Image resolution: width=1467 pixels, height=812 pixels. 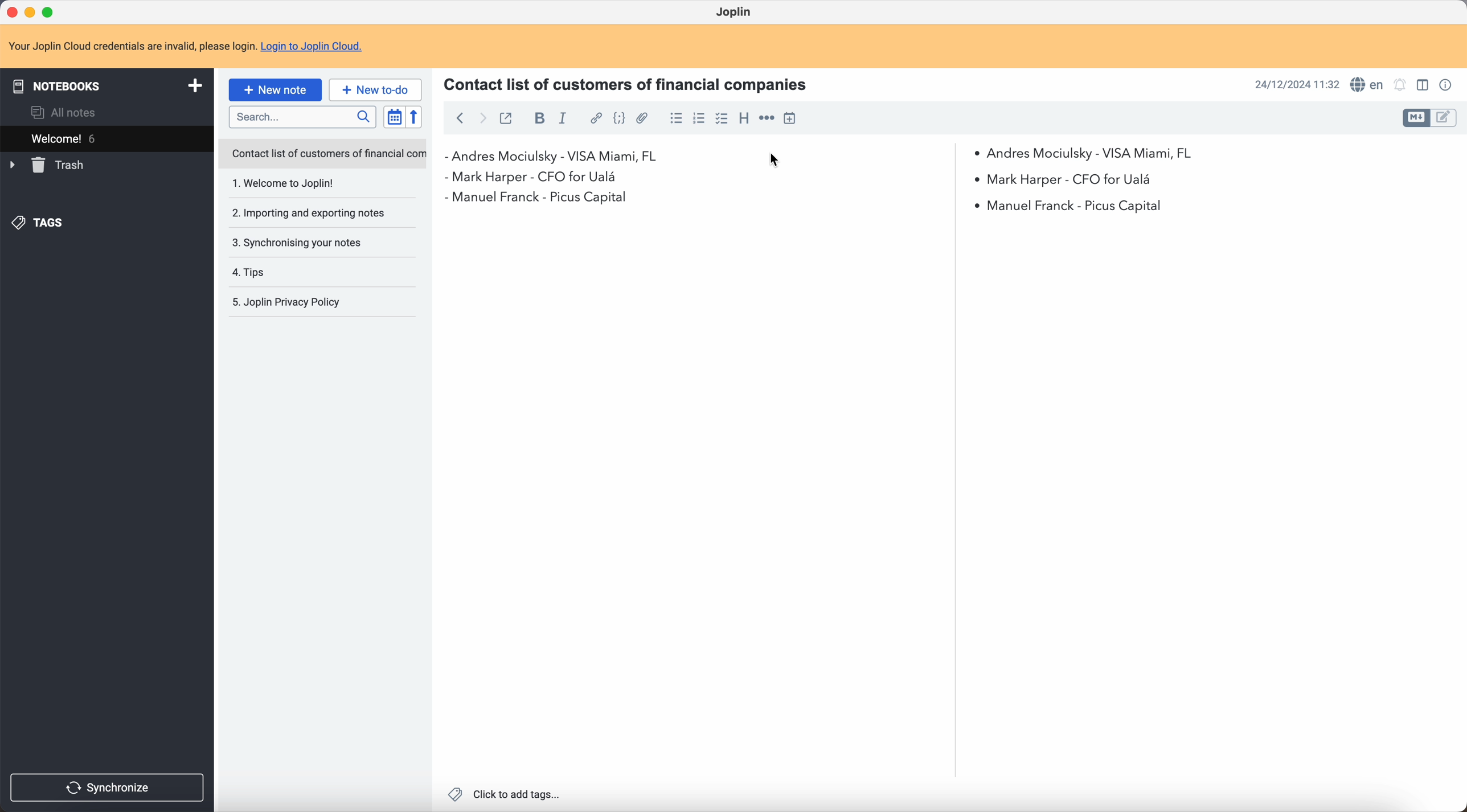 I want to click on horizontal rule, so click(x=767, y=118).